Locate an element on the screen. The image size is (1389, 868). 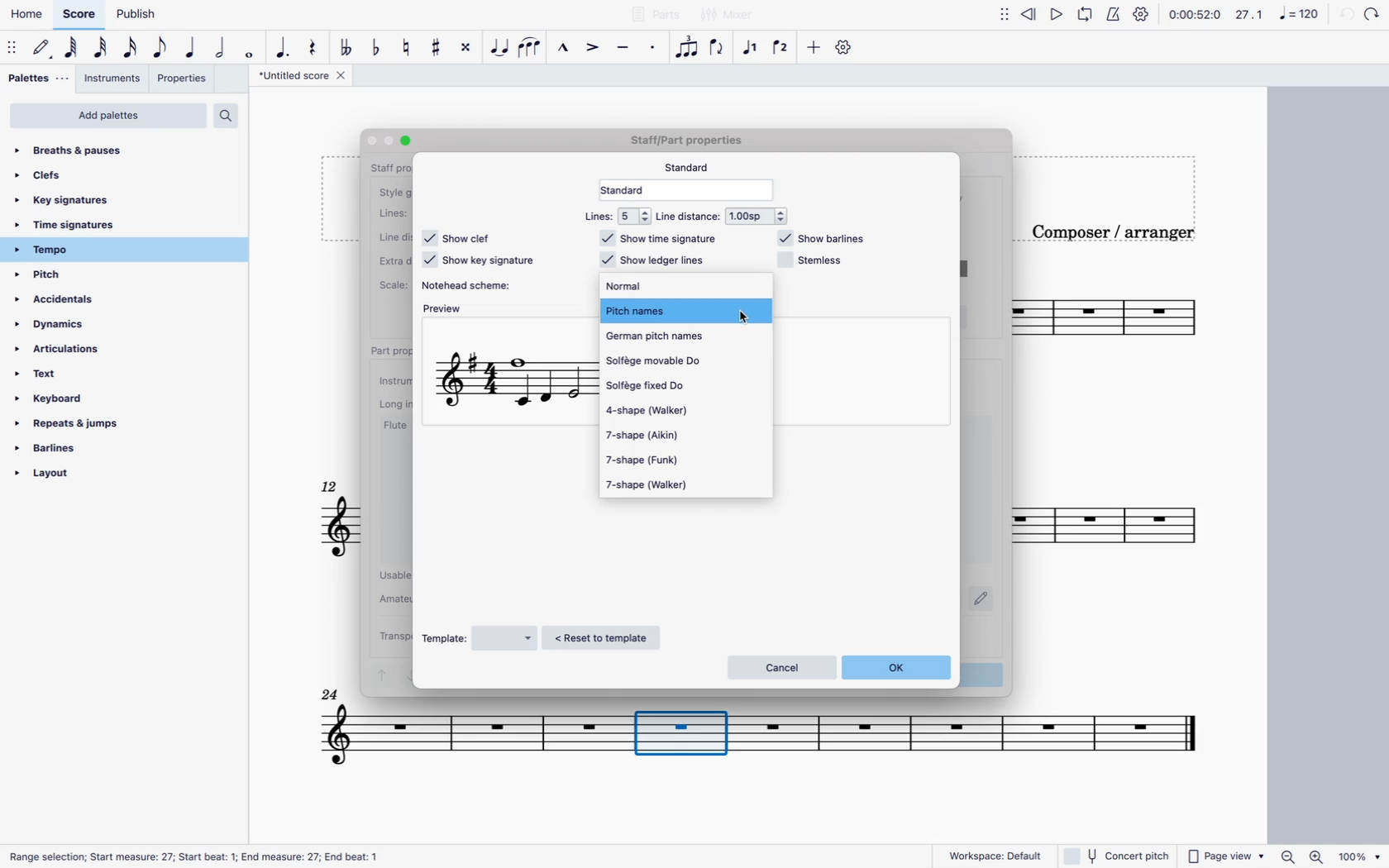
 is located at coordinates (408, 138).